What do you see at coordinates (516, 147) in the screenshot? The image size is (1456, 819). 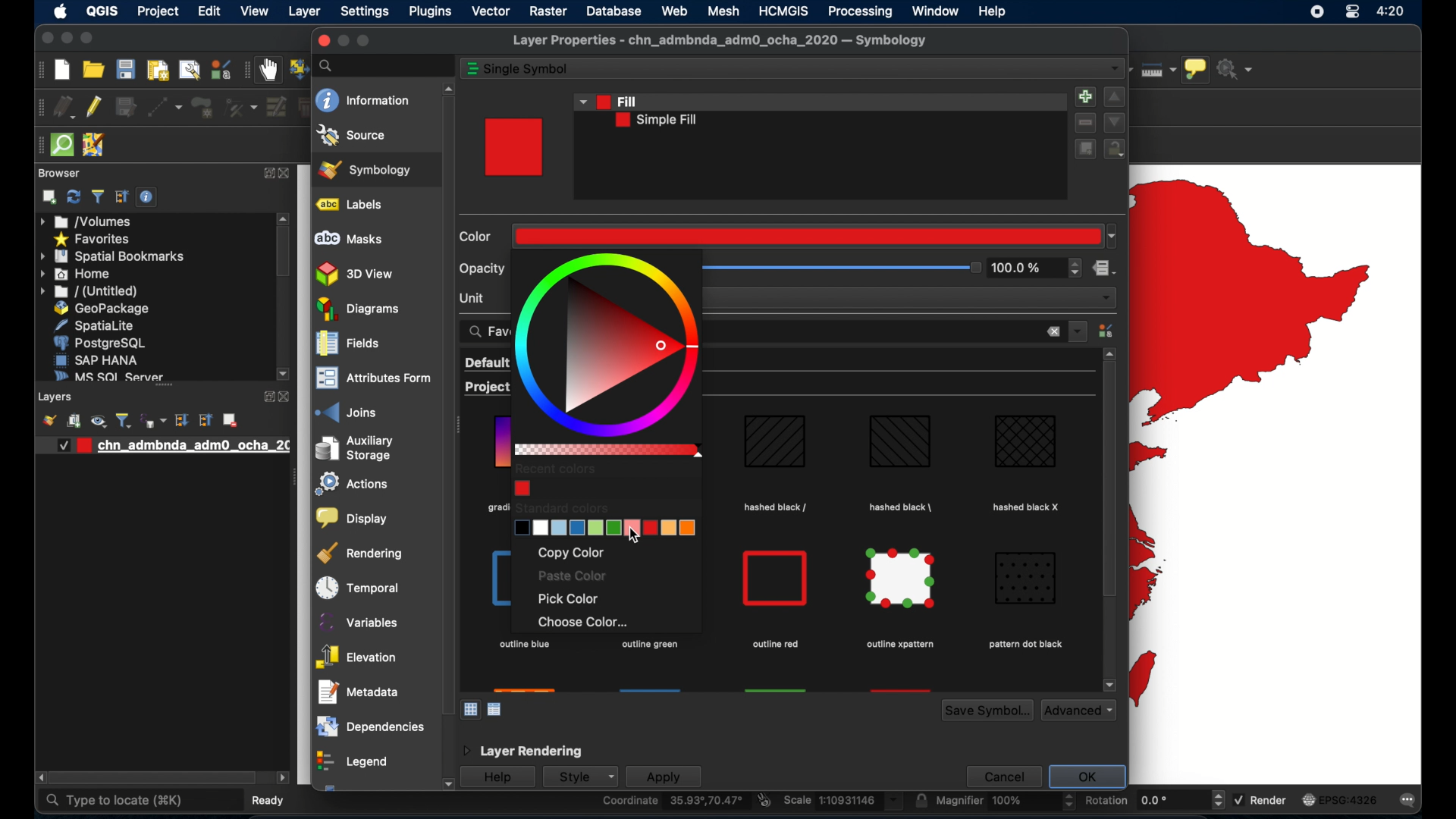 I see `red color preview` at bounding box center [516, 147].